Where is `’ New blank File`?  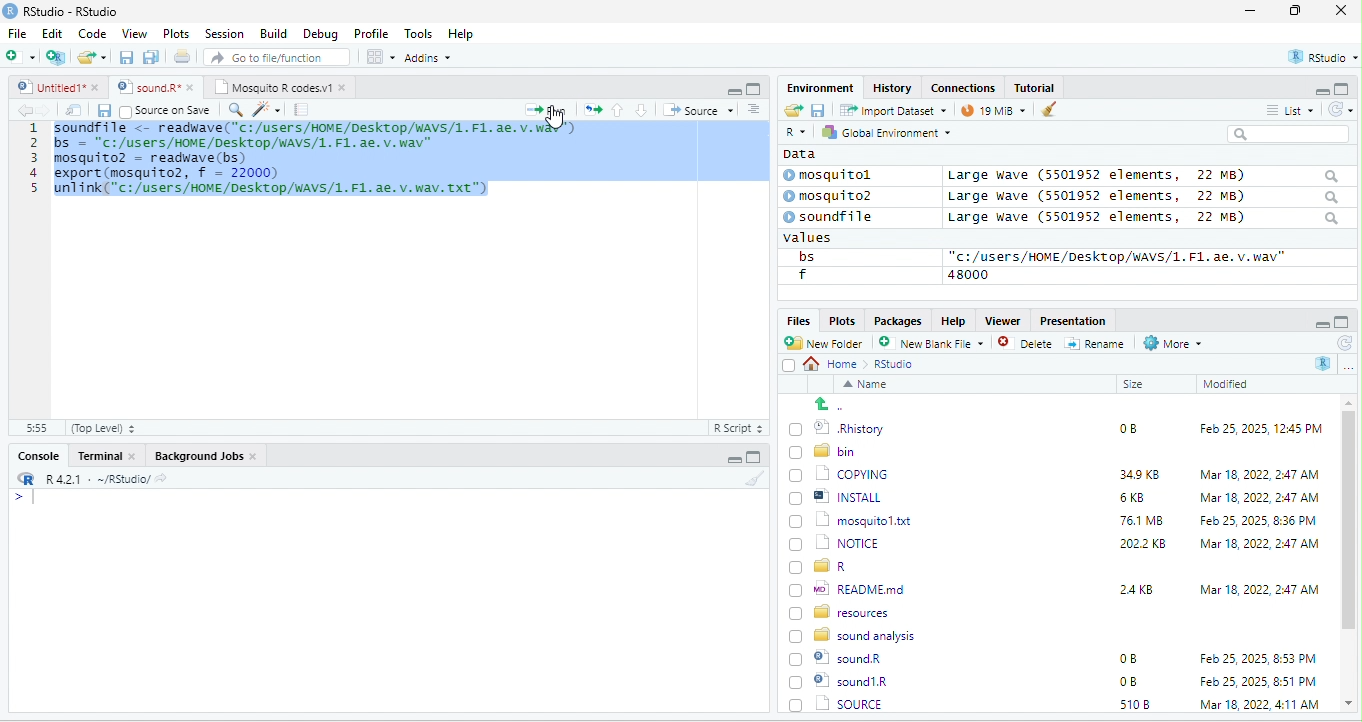
’ New blank File is located at coordinates (937, 346).